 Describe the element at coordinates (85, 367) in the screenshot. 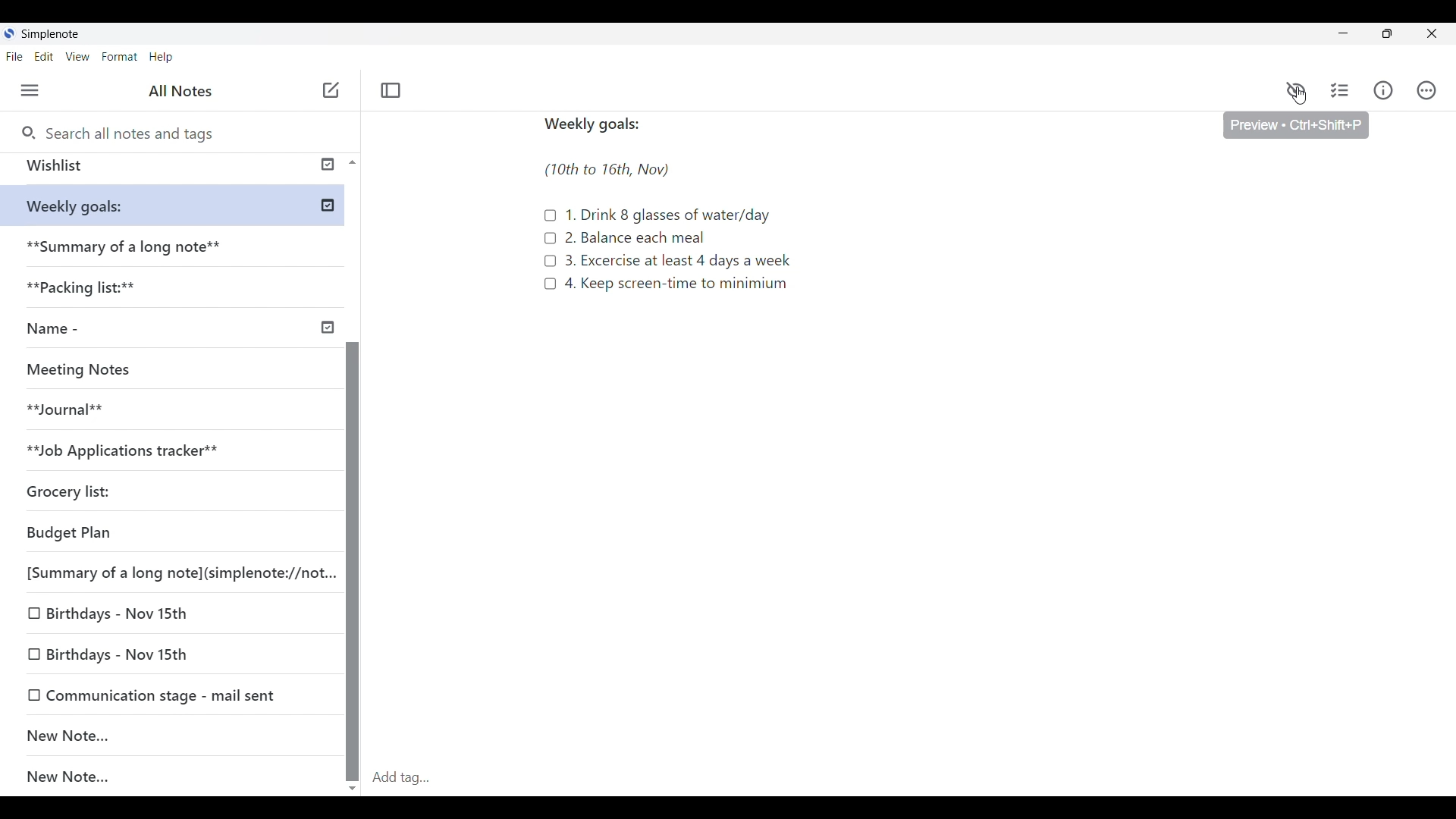

I see `Meeting Notes` at that location.